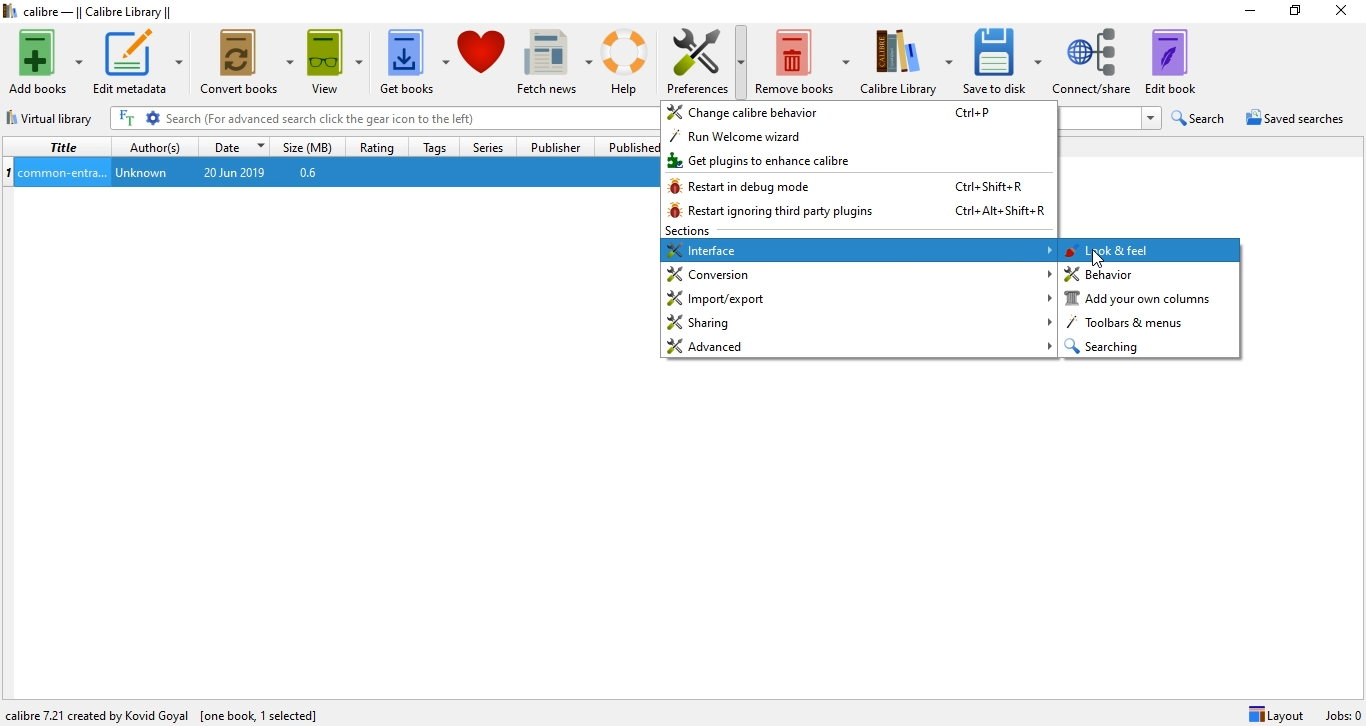  Describe the element at coordinates (1295, 14) in the screenshot. I see `Restore` at that location.